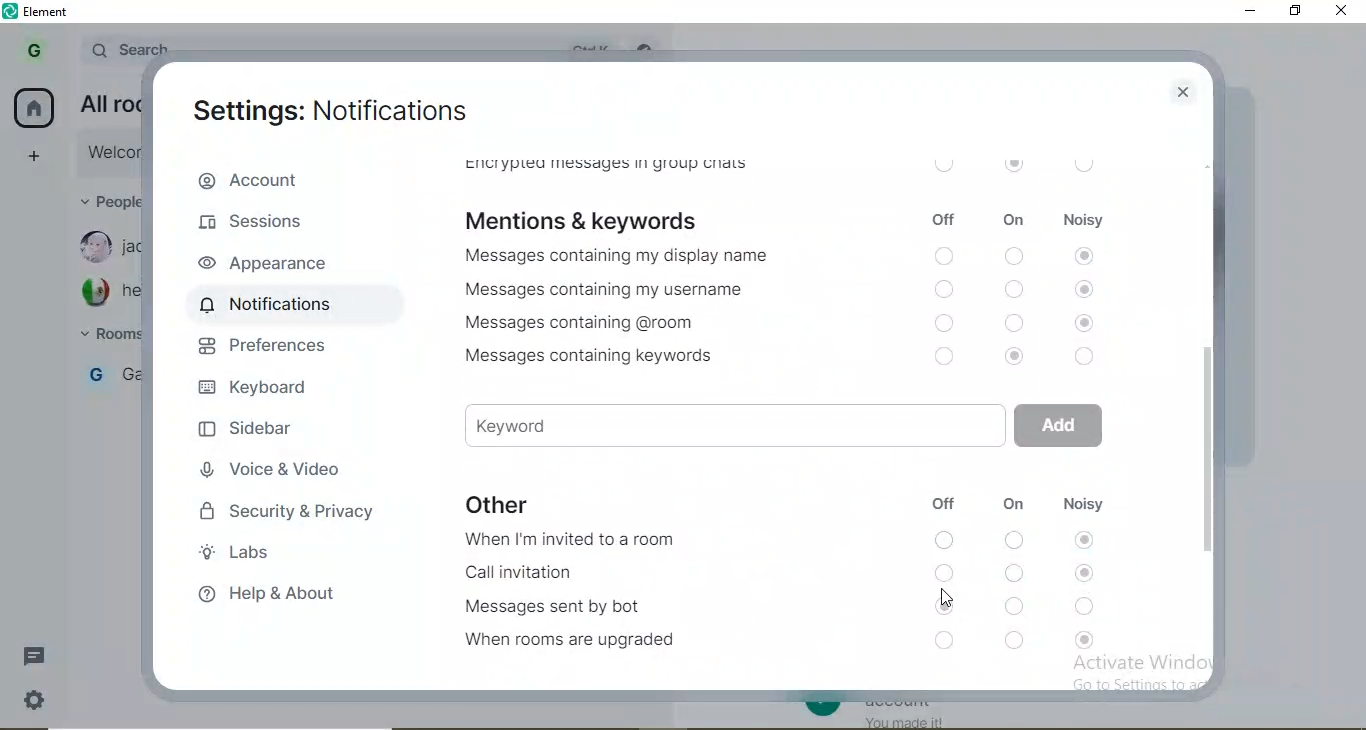  I want to click on element, so click(53, 11).